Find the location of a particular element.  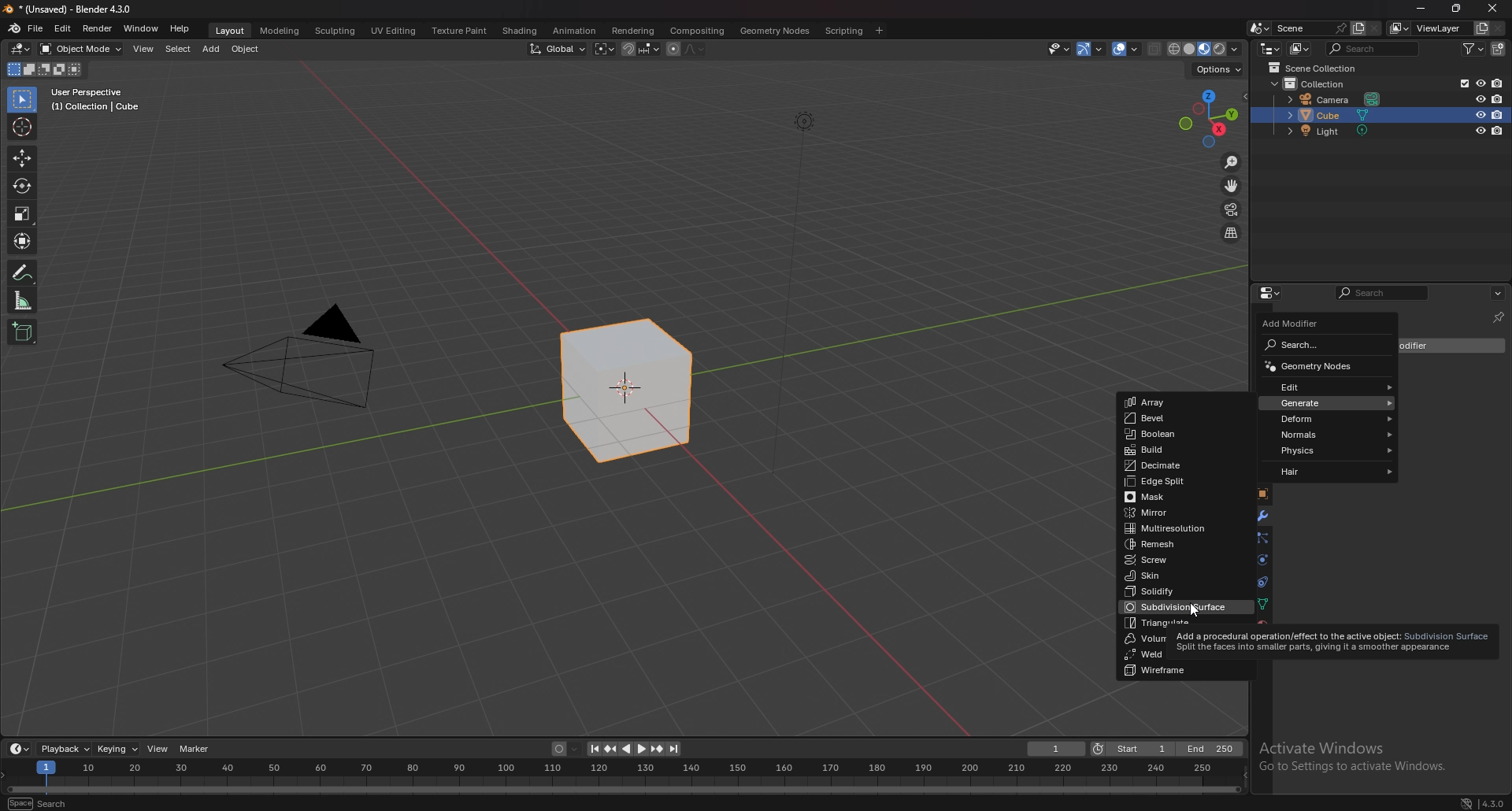

camera view is located at coordinates (1232, 210).